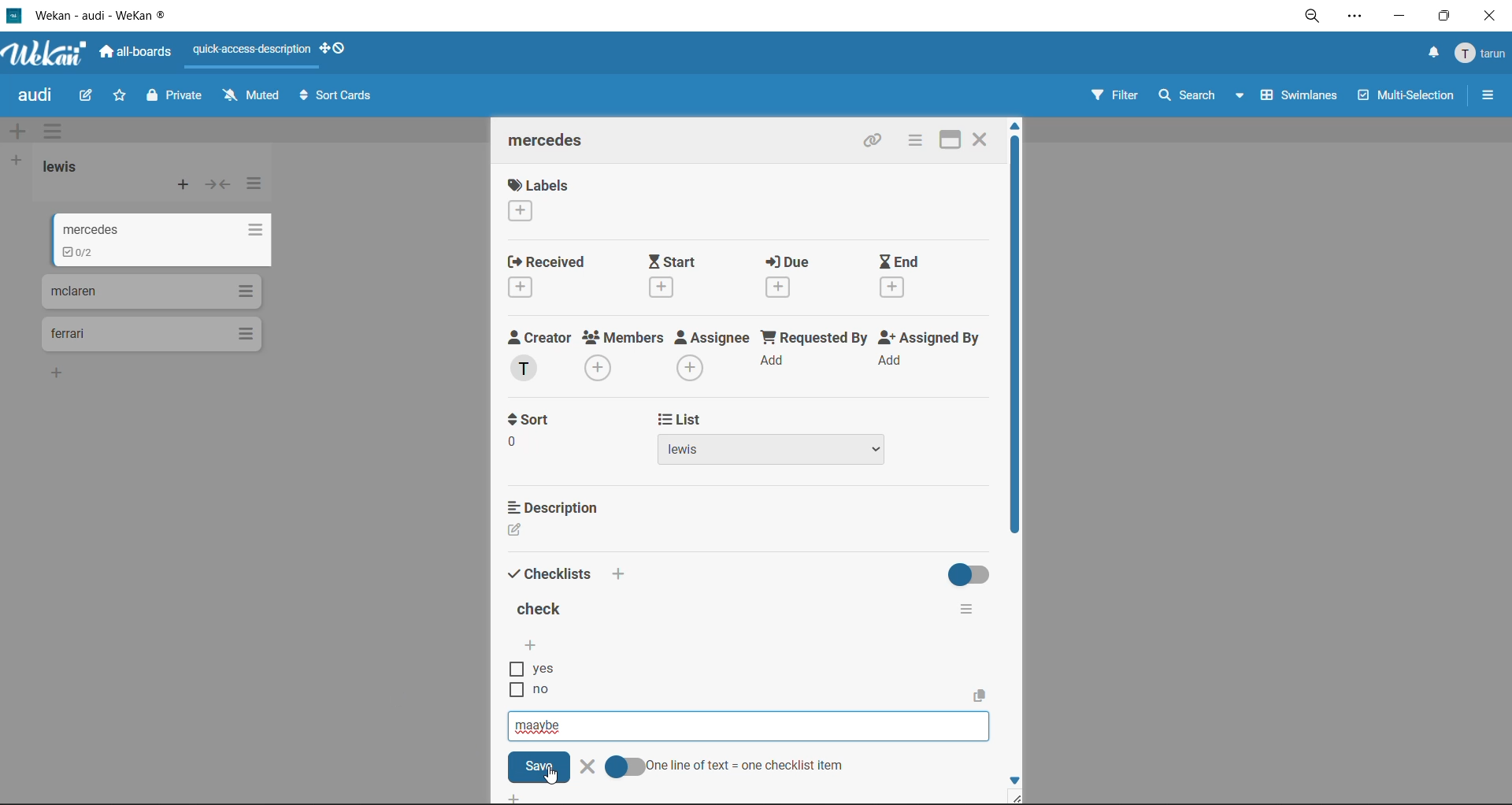  What do you see at coordinates (519, 796) in the screenshot?
I see `Add Button` at bounding box center [519, 796].